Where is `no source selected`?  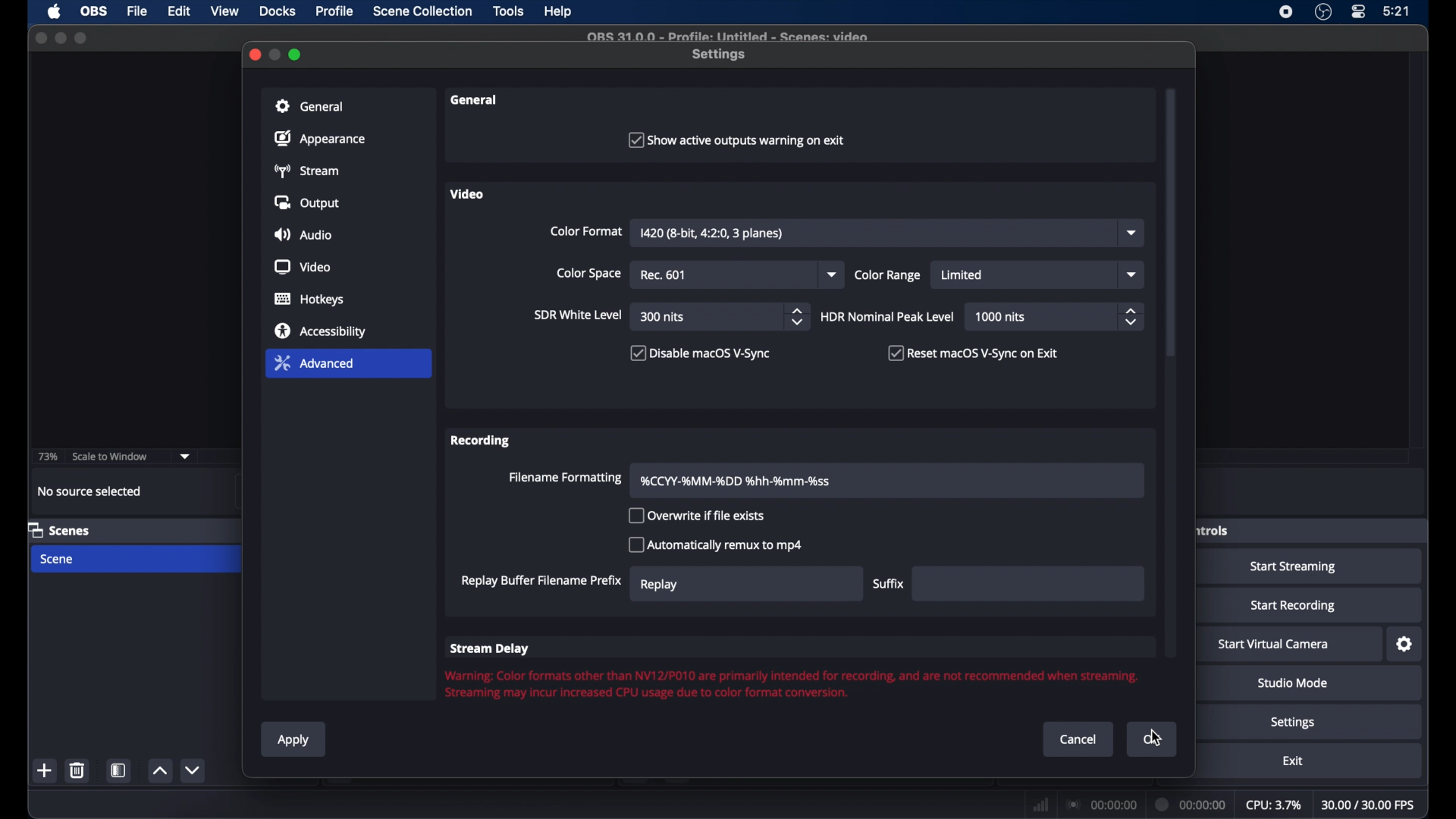
no source selected is located at coordinates (88, 491).